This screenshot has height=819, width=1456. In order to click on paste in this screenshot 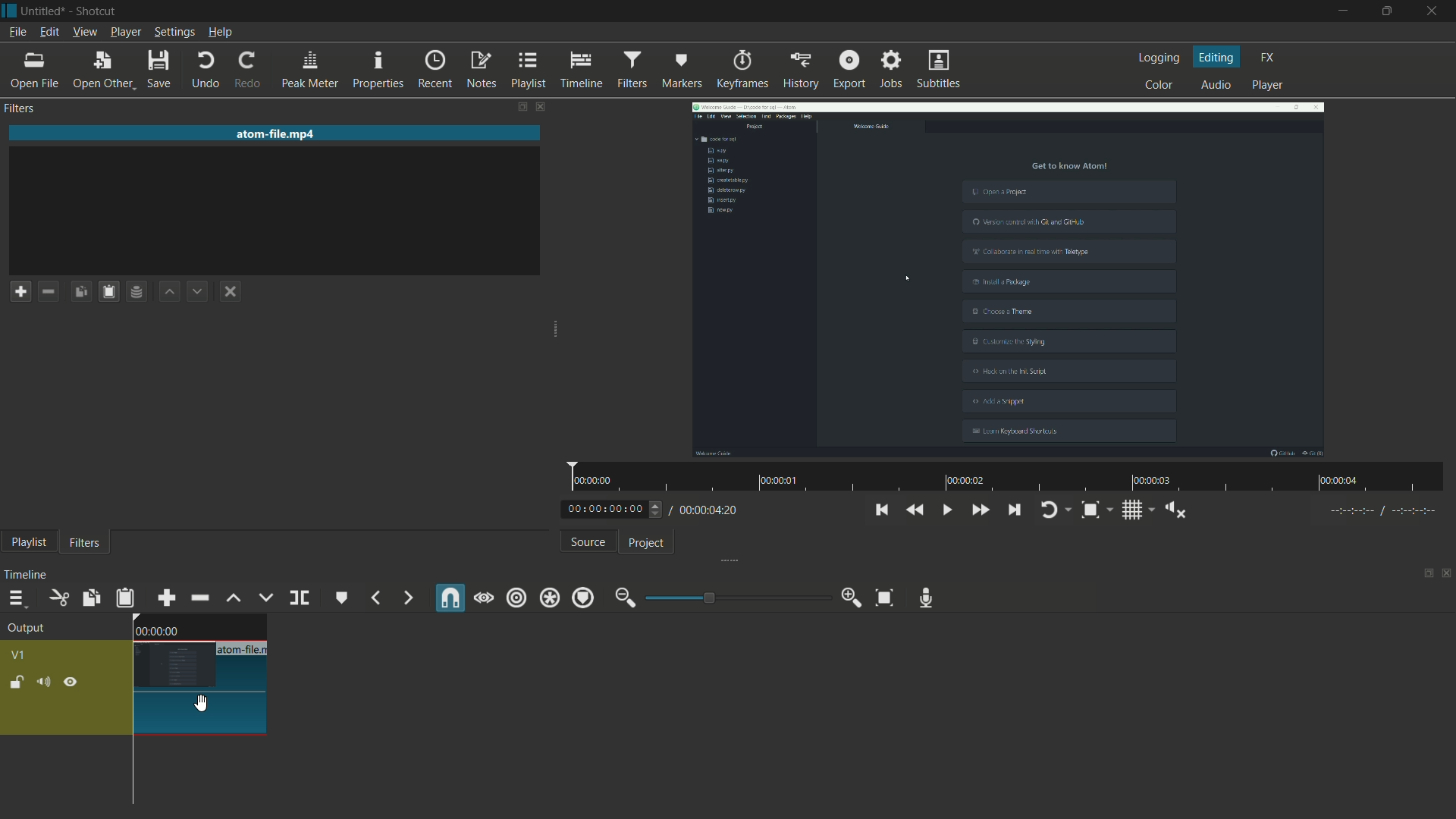, I will do `click(125, 598)`.